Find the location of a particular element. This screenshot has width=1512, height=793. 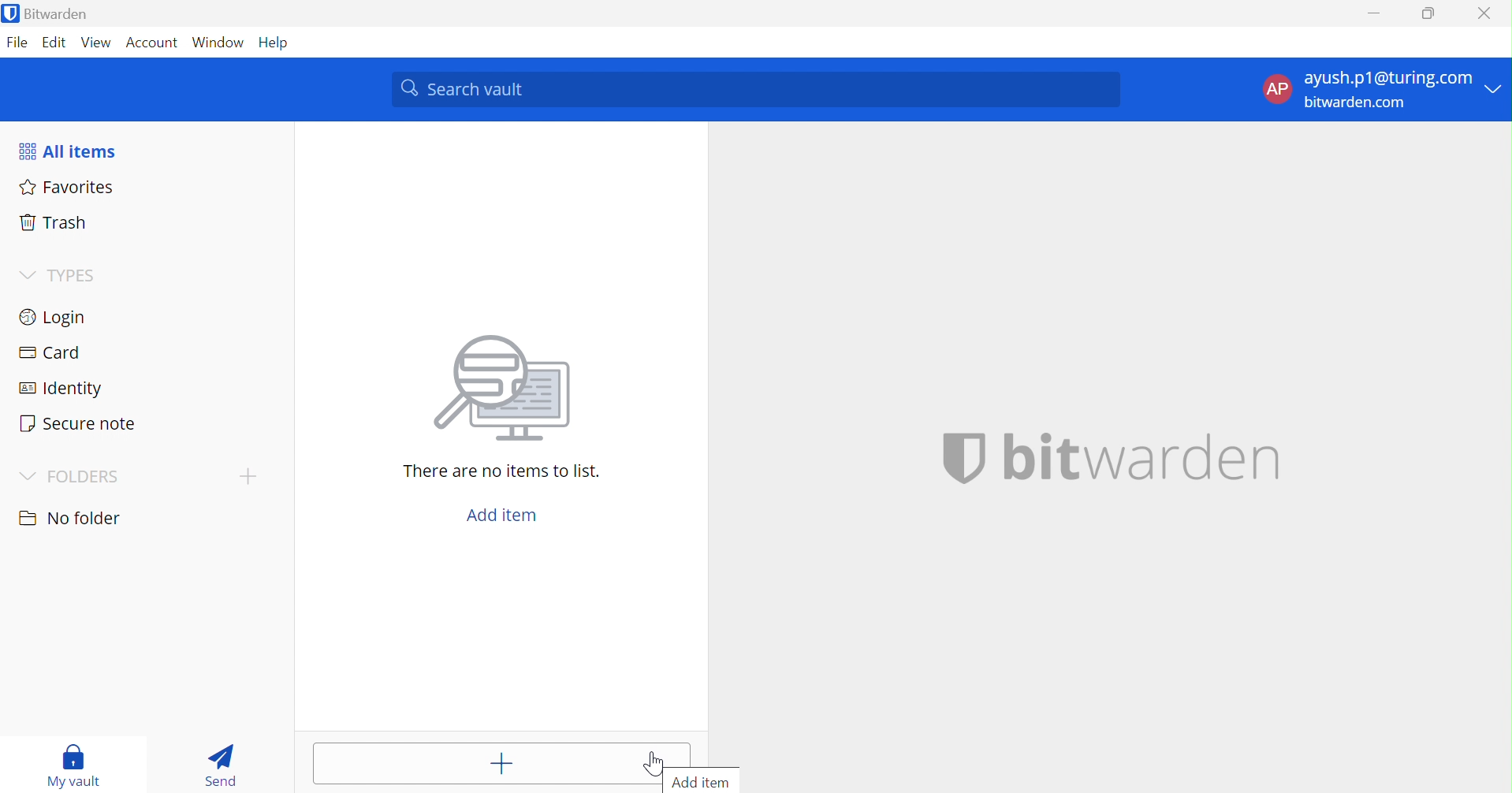

Edit is located at coordinates (56, 43).